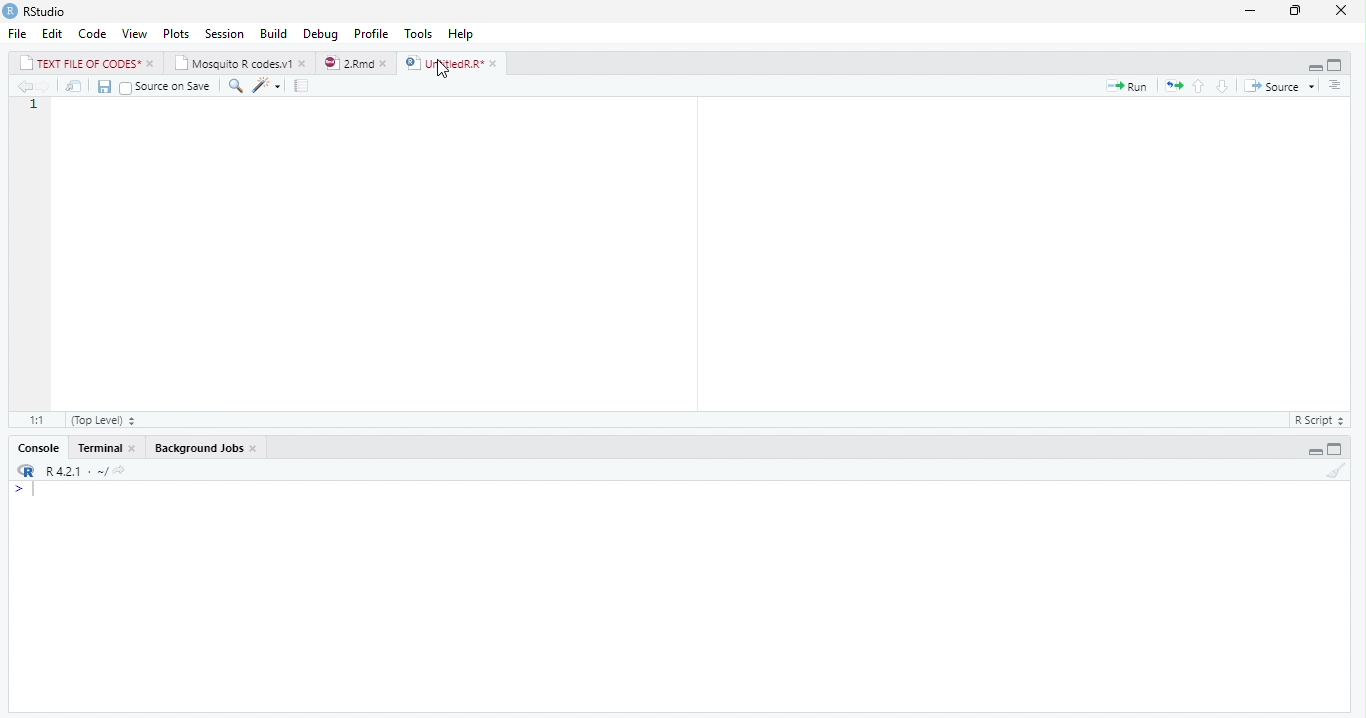 The image size is (1366, 718). What do you see at coordinates (93, 33) in the screenshot?
I see `Code` at bounding box center [93, 33].